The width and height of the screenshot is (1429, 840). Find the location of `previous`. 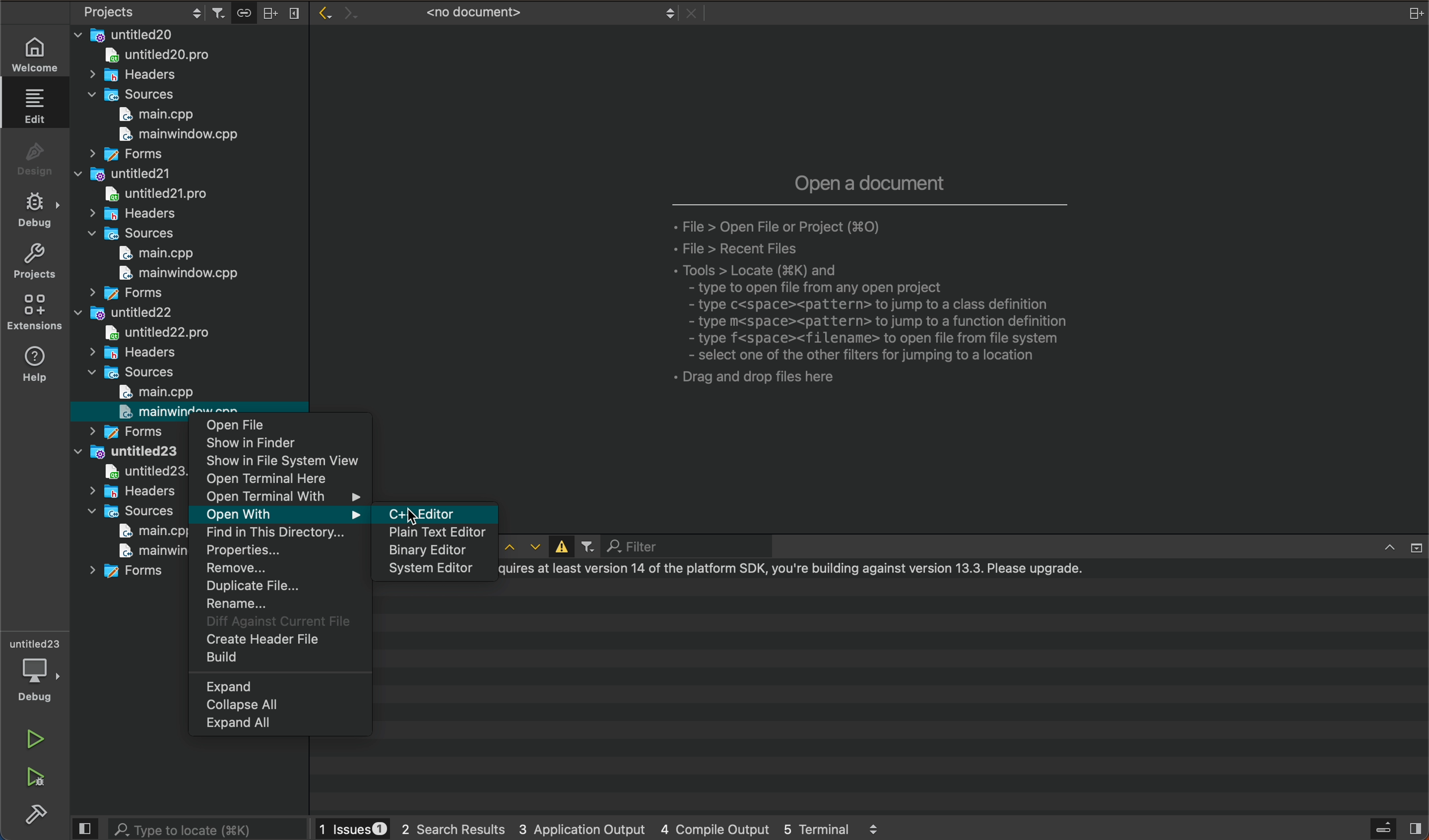

previous is located at coordinates (322, 12).